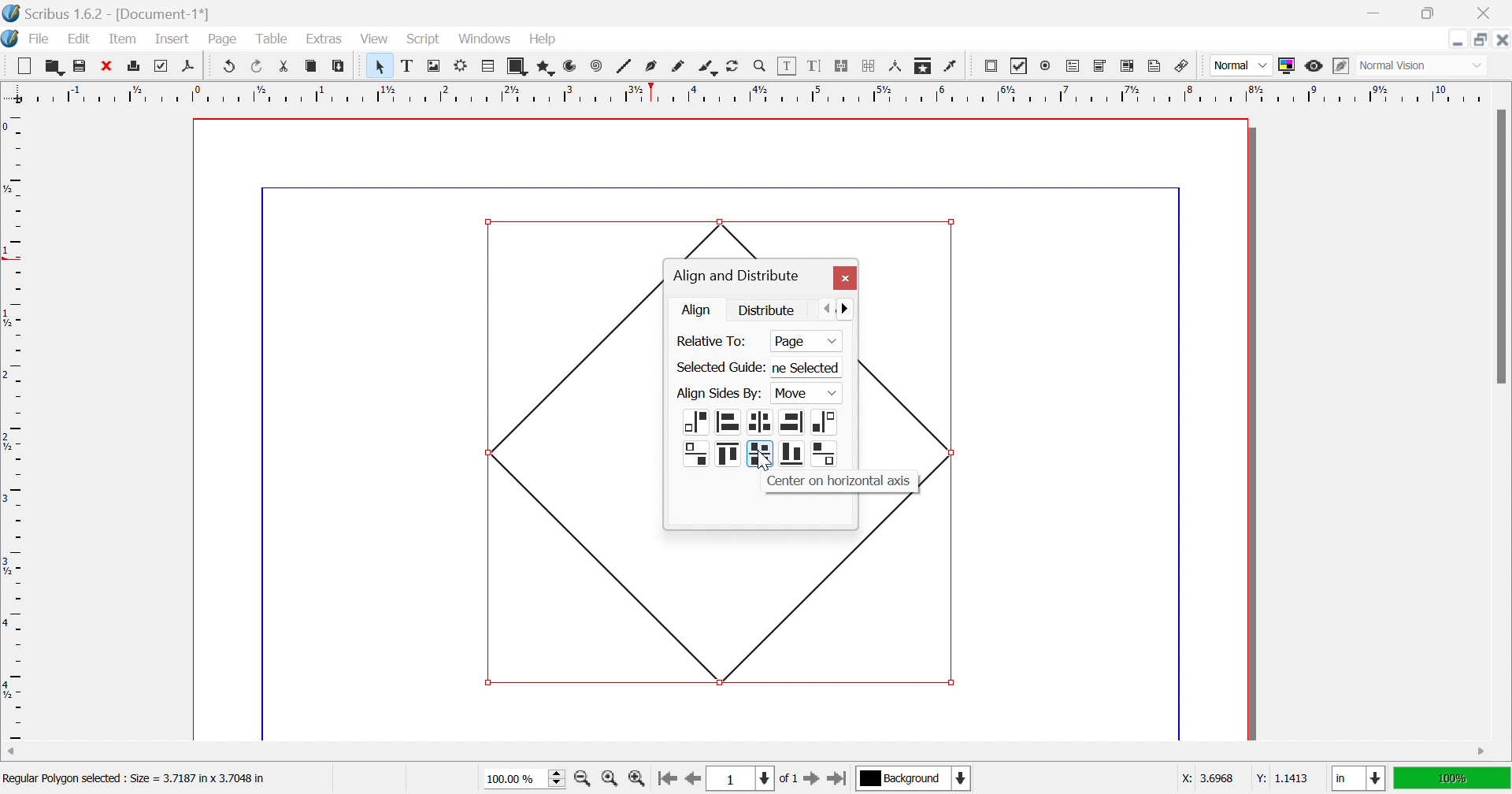 The width and height of the screenshot is (1512, 794). I want to click on Minimize, so click(1377, 13).